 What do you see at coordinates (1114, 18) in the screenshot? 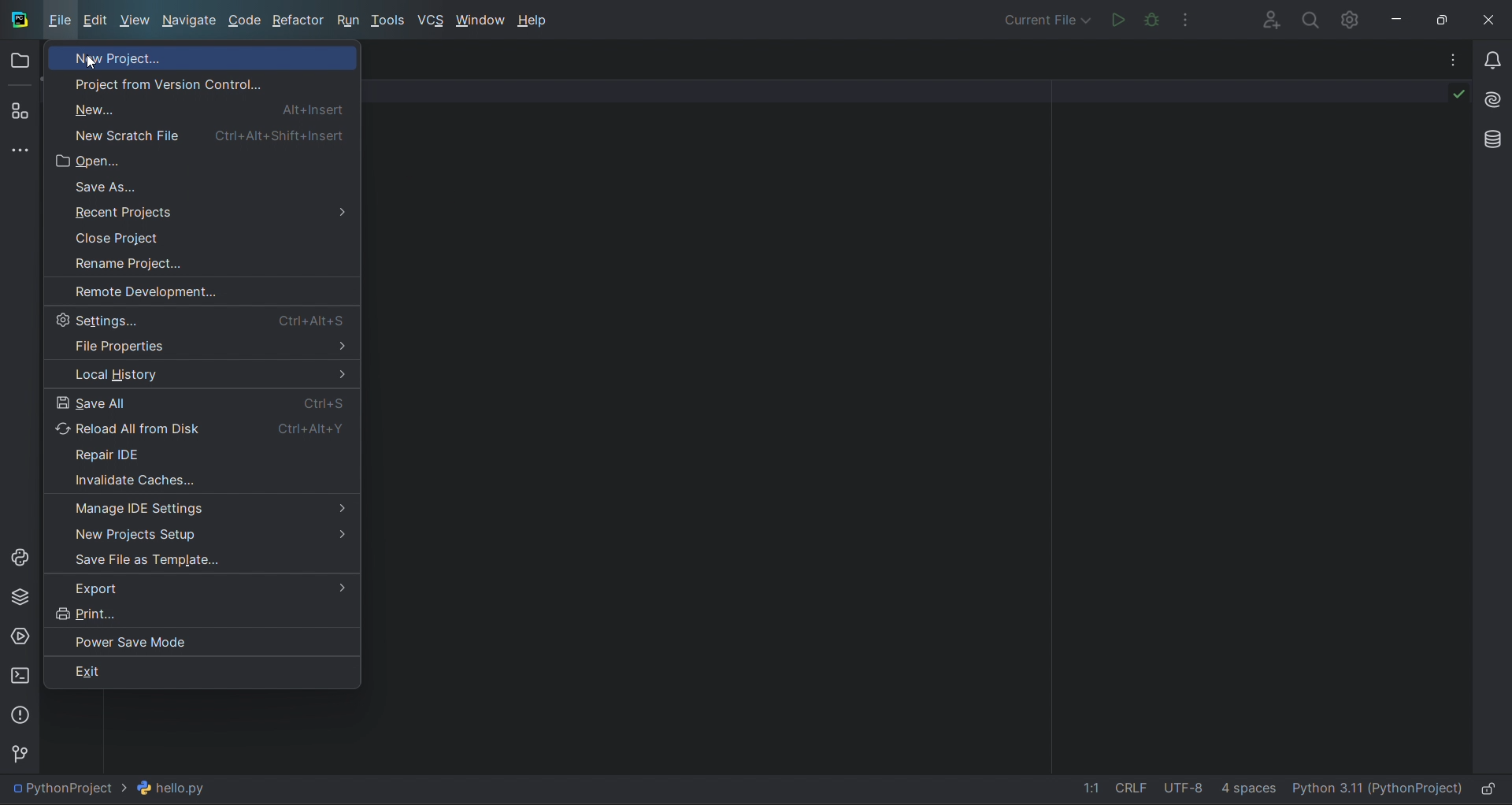
I see `run` at bounding box center [1114, 18].